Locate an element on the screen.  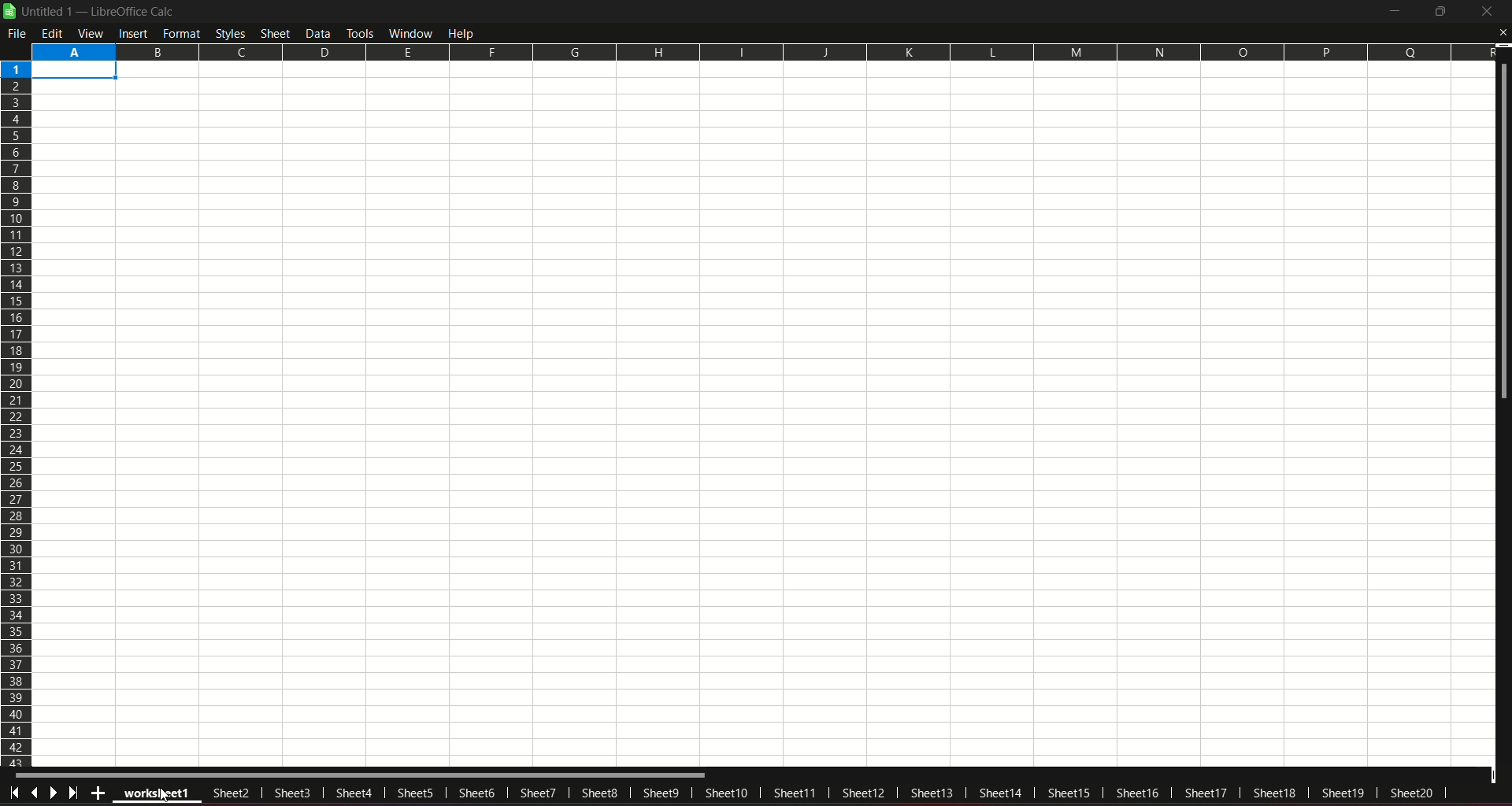
sheet6 is located at coordinates (476, 793).